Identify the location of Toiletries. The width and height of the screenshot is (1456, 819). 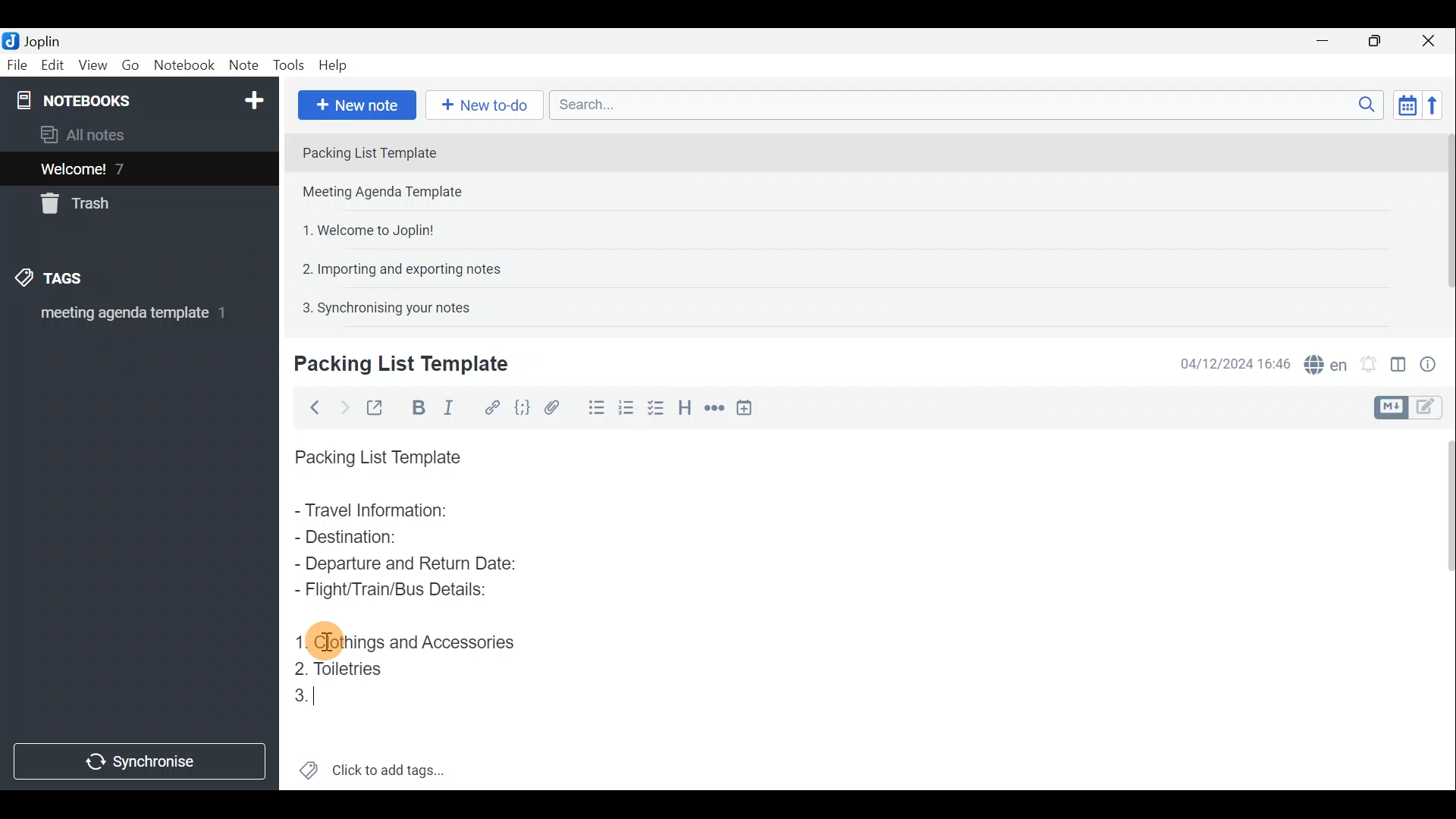
(342, 670).